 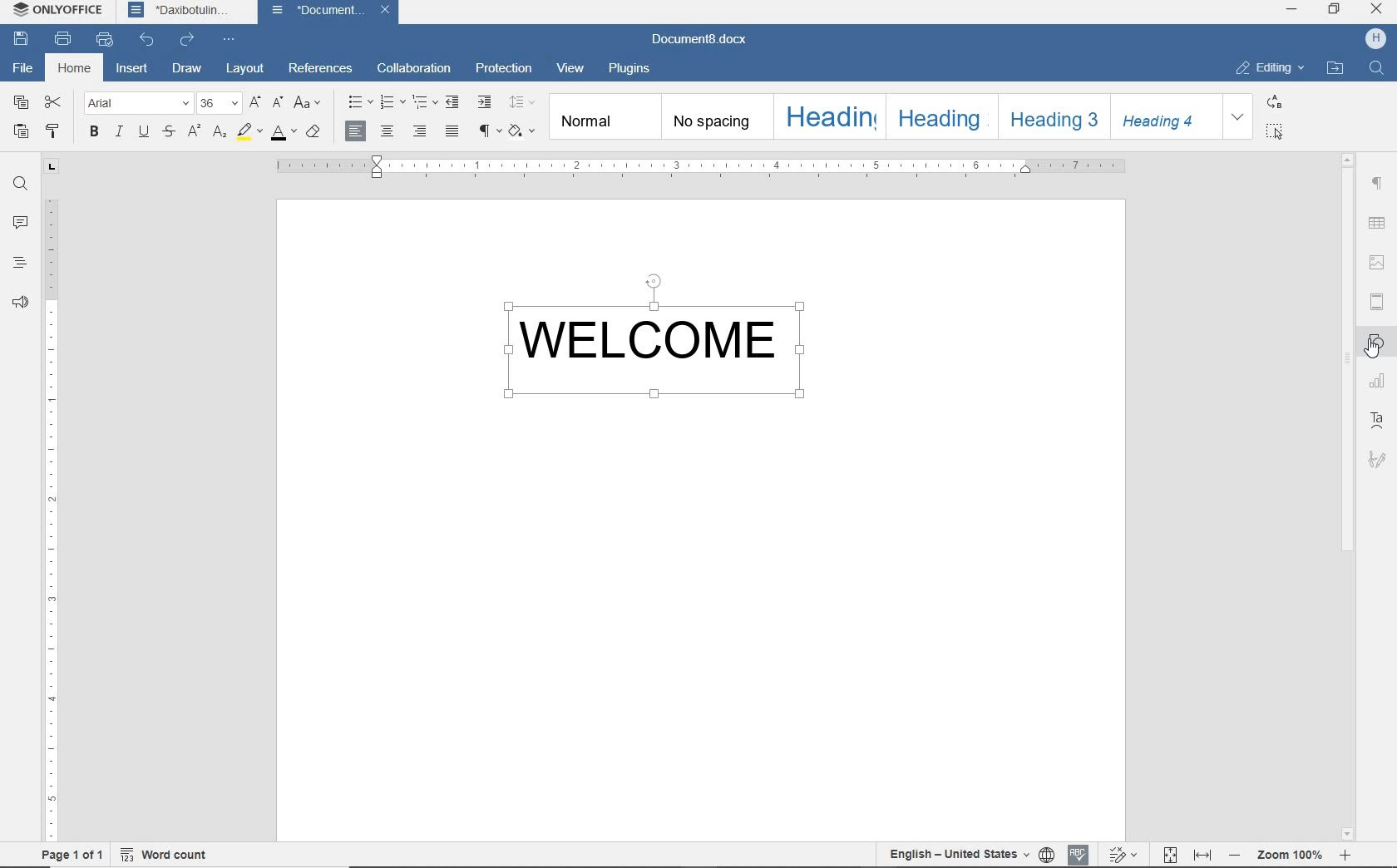 I want to click on PRINT, so click(x=62, y=39).